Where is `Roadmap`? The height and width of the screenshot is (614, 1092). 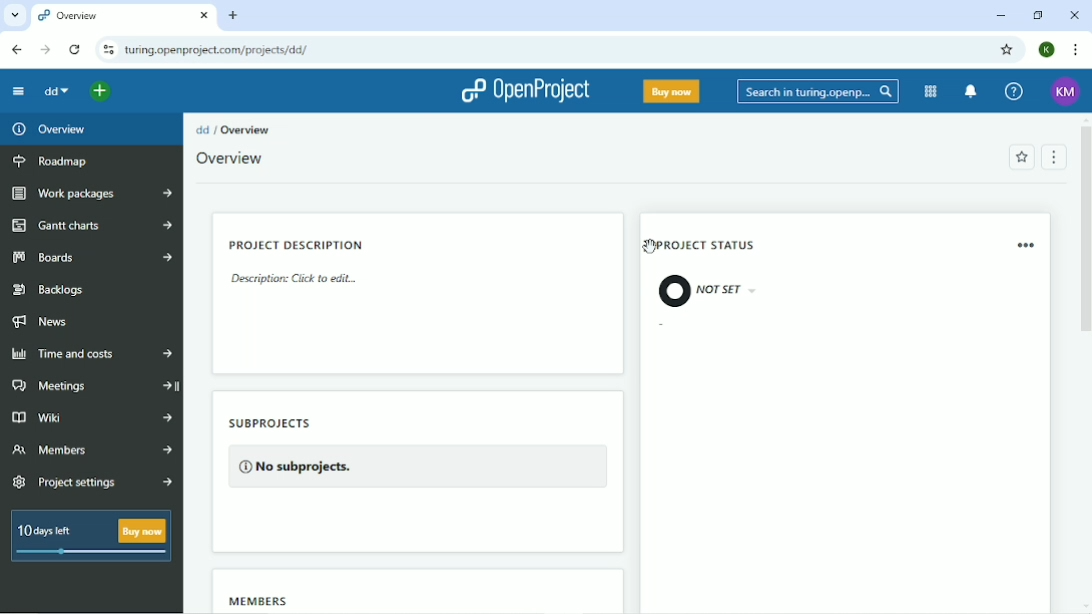
Roadmap is located at coordinates (53, 161).